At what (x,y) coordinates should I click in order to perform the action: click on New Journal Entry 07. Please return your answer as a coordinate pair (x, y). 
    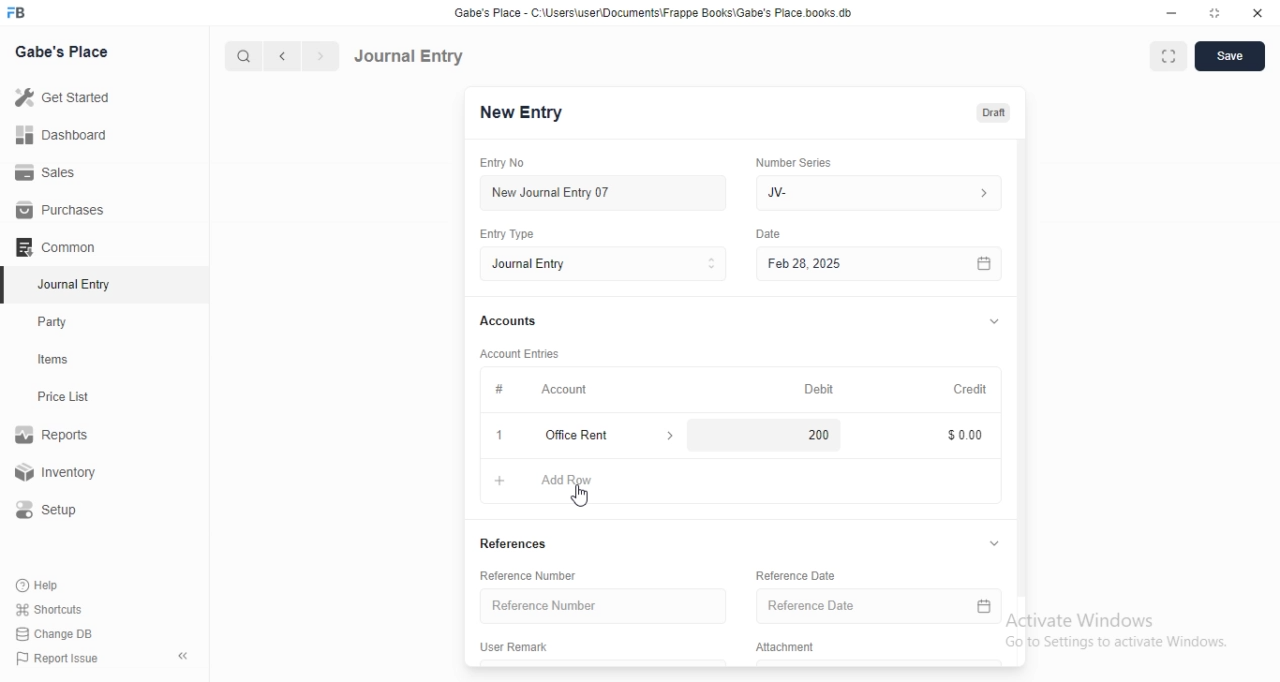
    Looking at the image, I should click on (550, 193).